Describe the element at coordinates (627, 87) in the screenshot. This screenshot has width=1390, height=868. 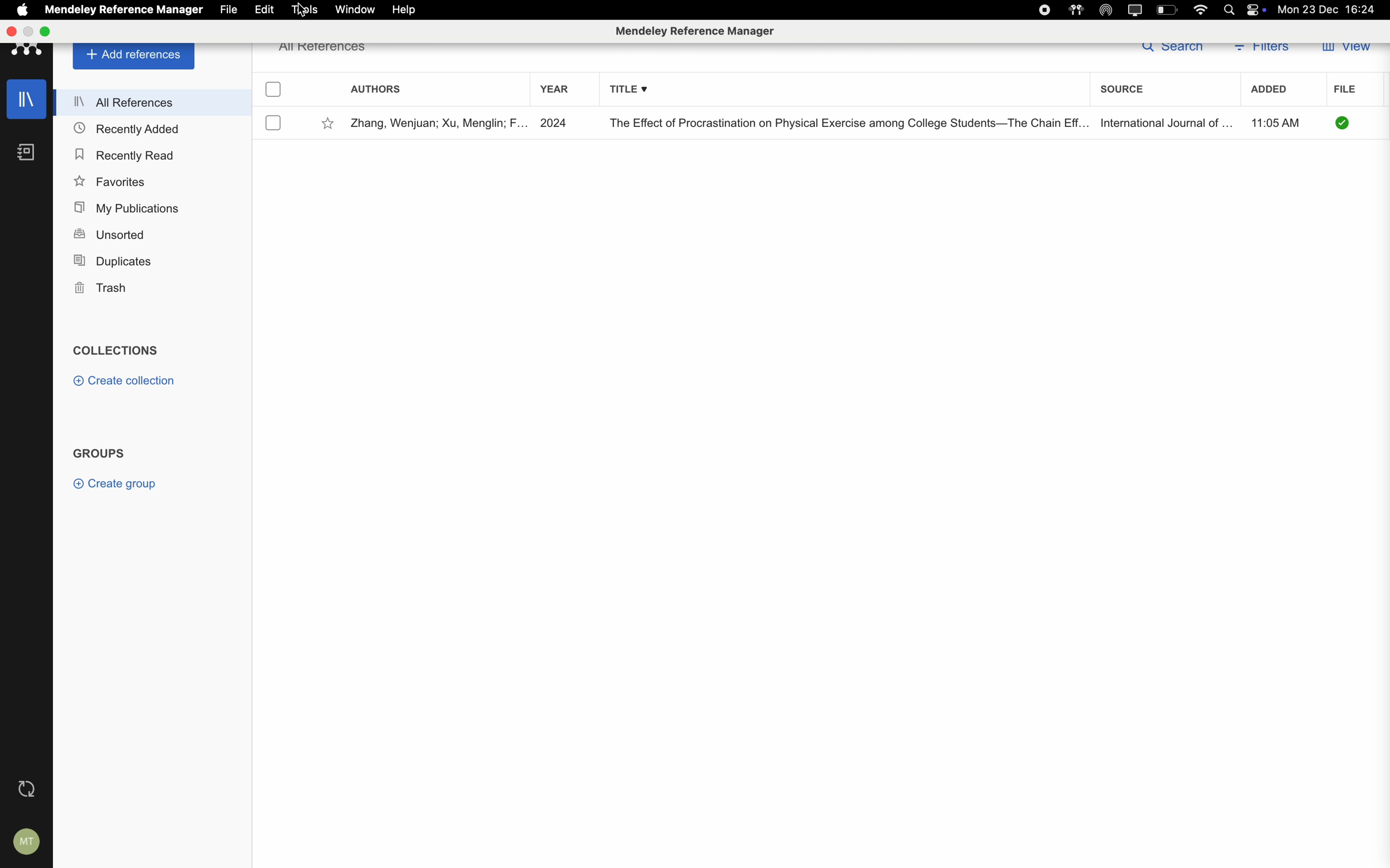
I see `title` at that location.